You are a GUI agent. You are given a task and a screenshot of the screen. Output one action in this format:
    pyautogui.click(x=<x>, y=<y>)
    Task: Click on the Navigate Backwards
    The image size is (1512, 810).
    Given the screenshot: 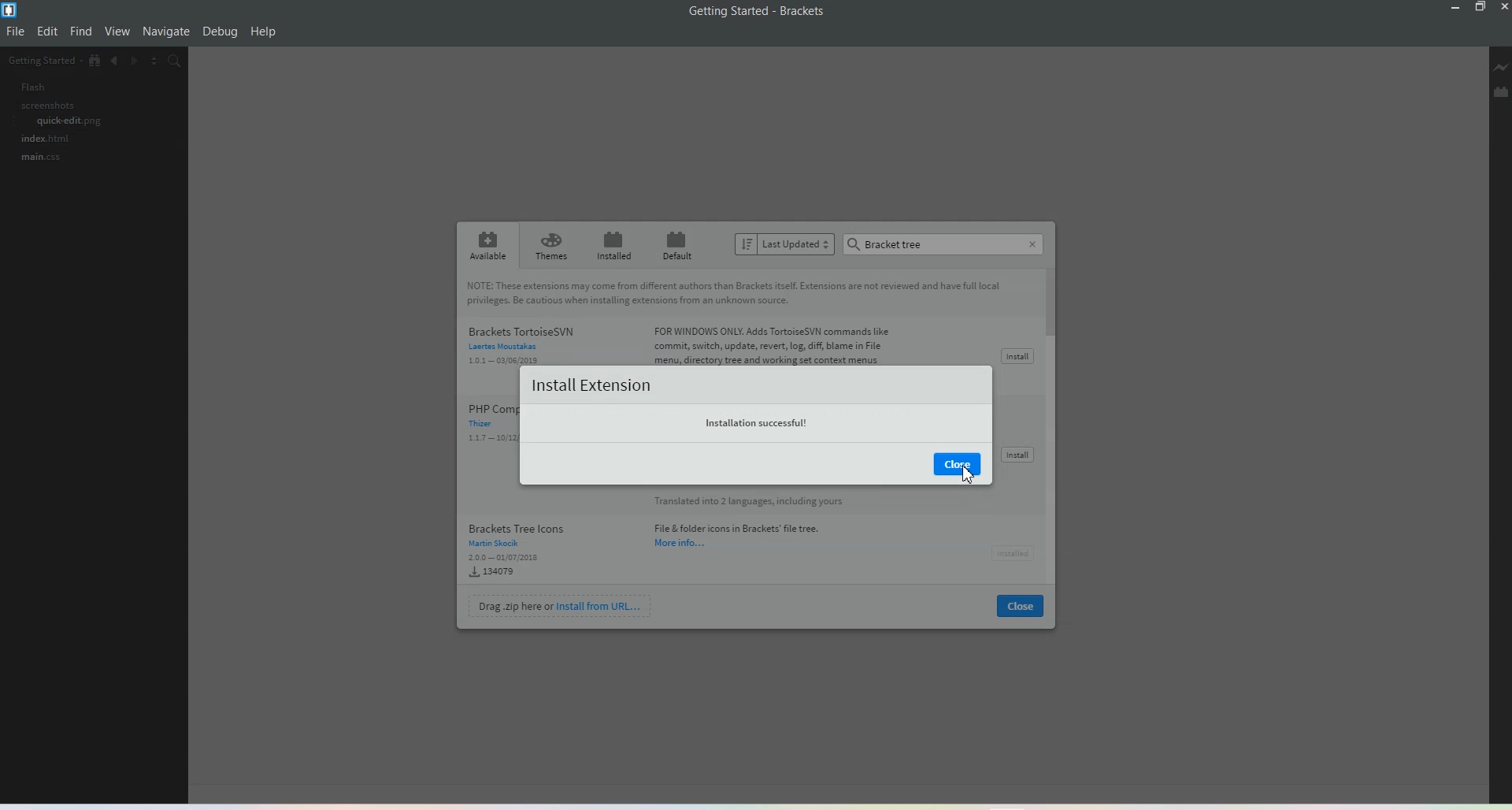 What is the action you would take?
    pyautogui.click(x=116, y=63)
    